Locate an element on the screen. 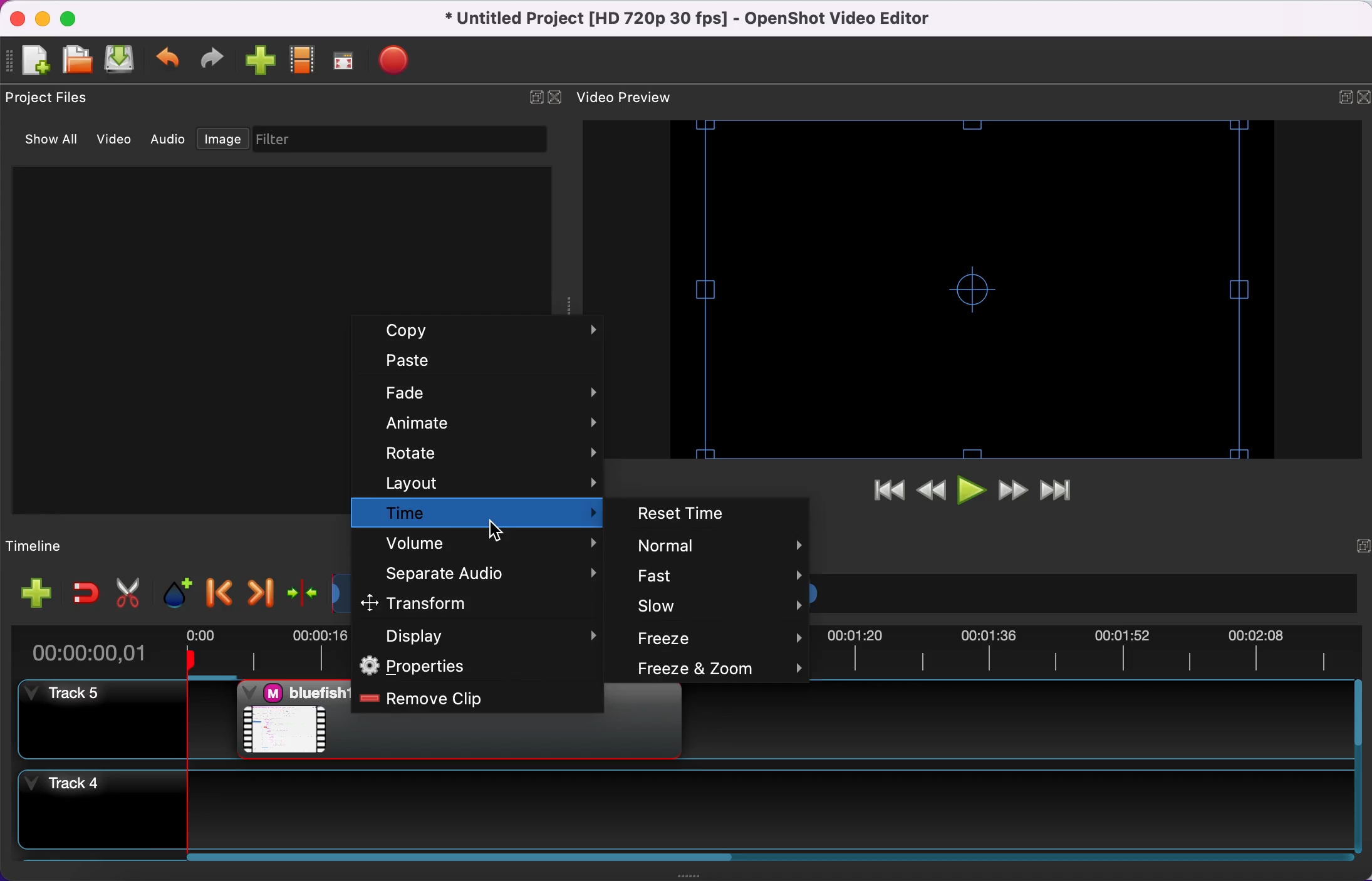 The width and height of the screenshot is (1372, 881). volume is located at coordinates (481, 545).